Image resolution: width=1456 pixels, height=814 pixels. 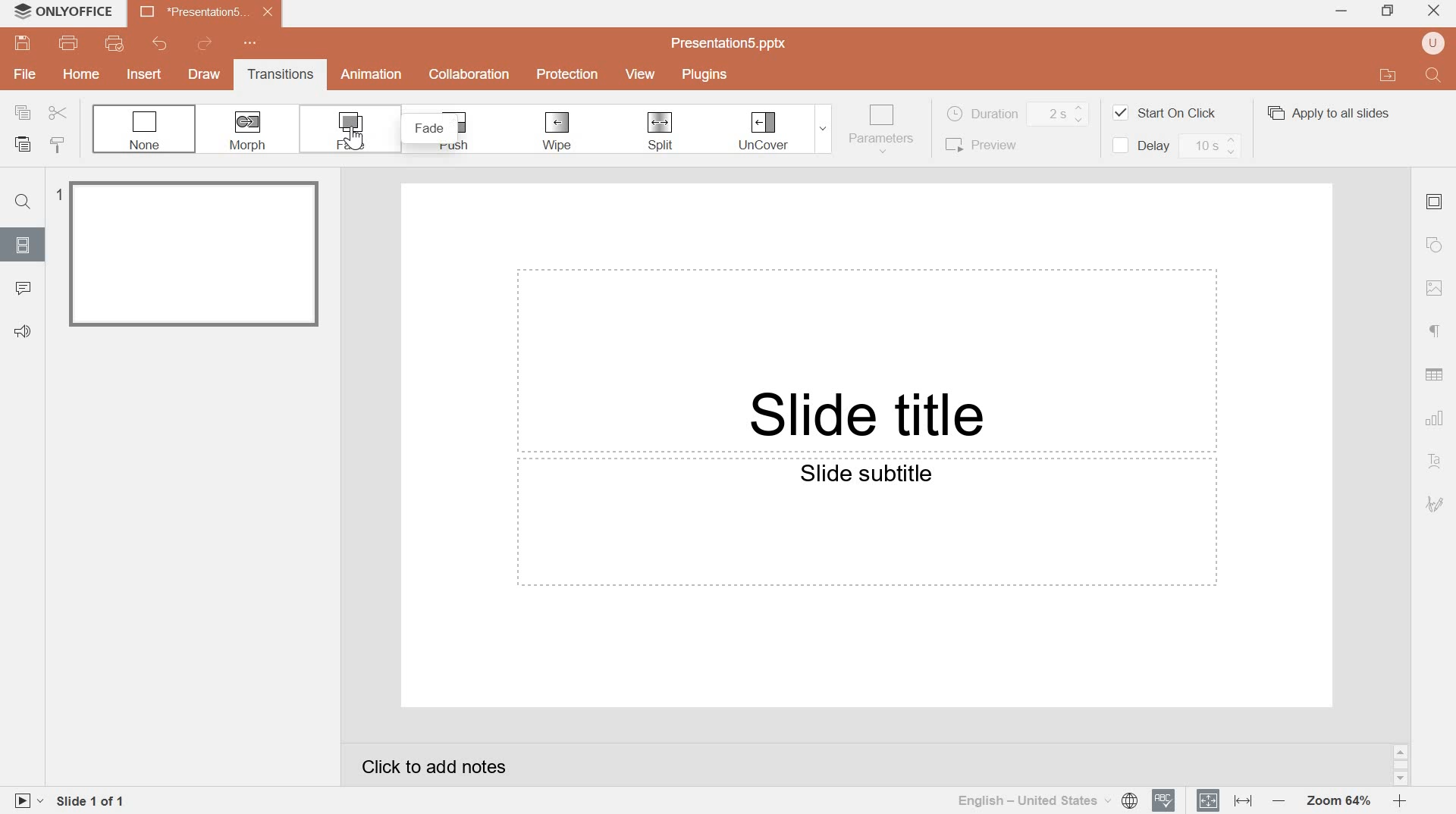 I want to click on File, so click(x=24, y=75).